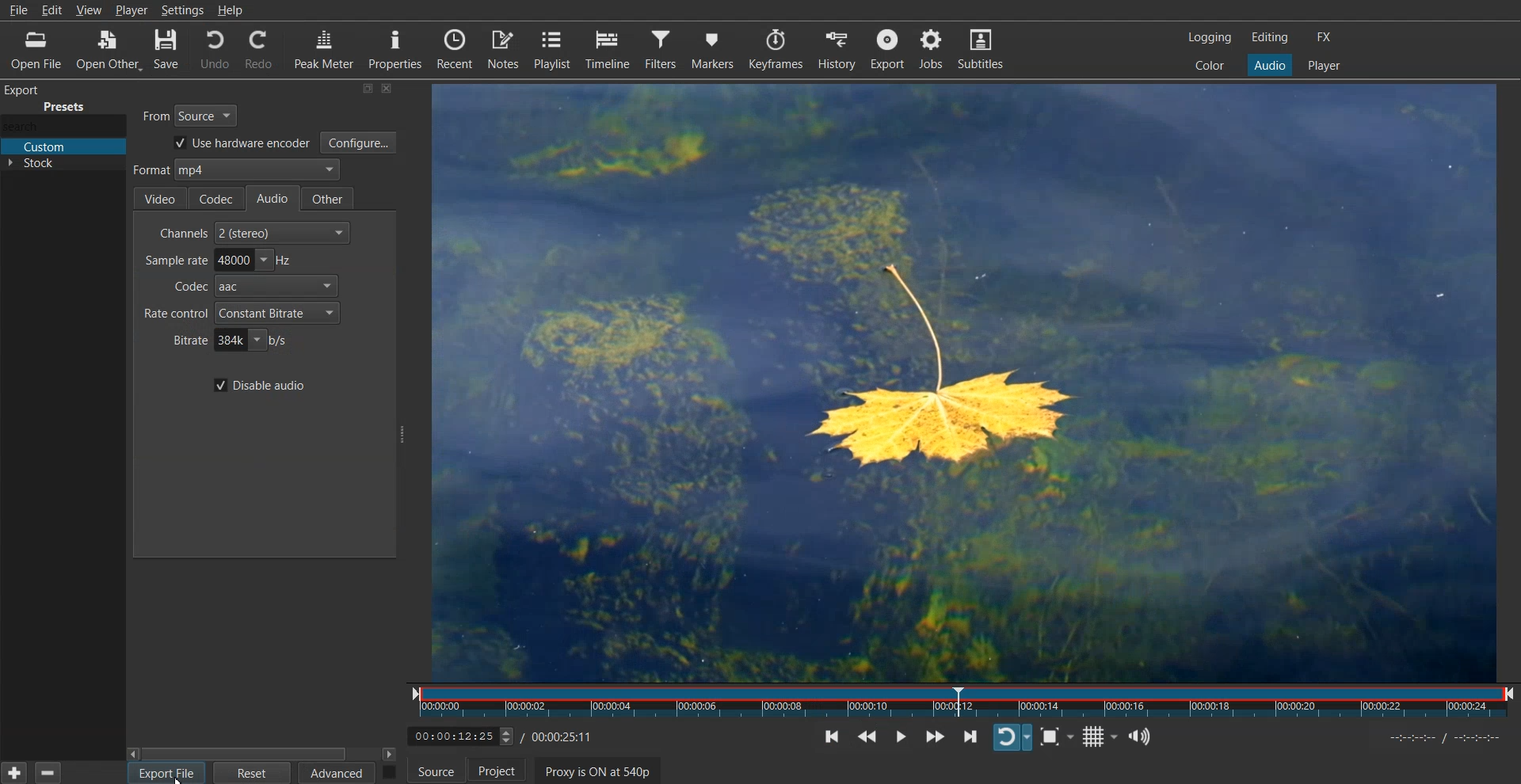 Image resolution: width=1521 pixels, height=784 pixels. I want to click on View, so click(90, 9).